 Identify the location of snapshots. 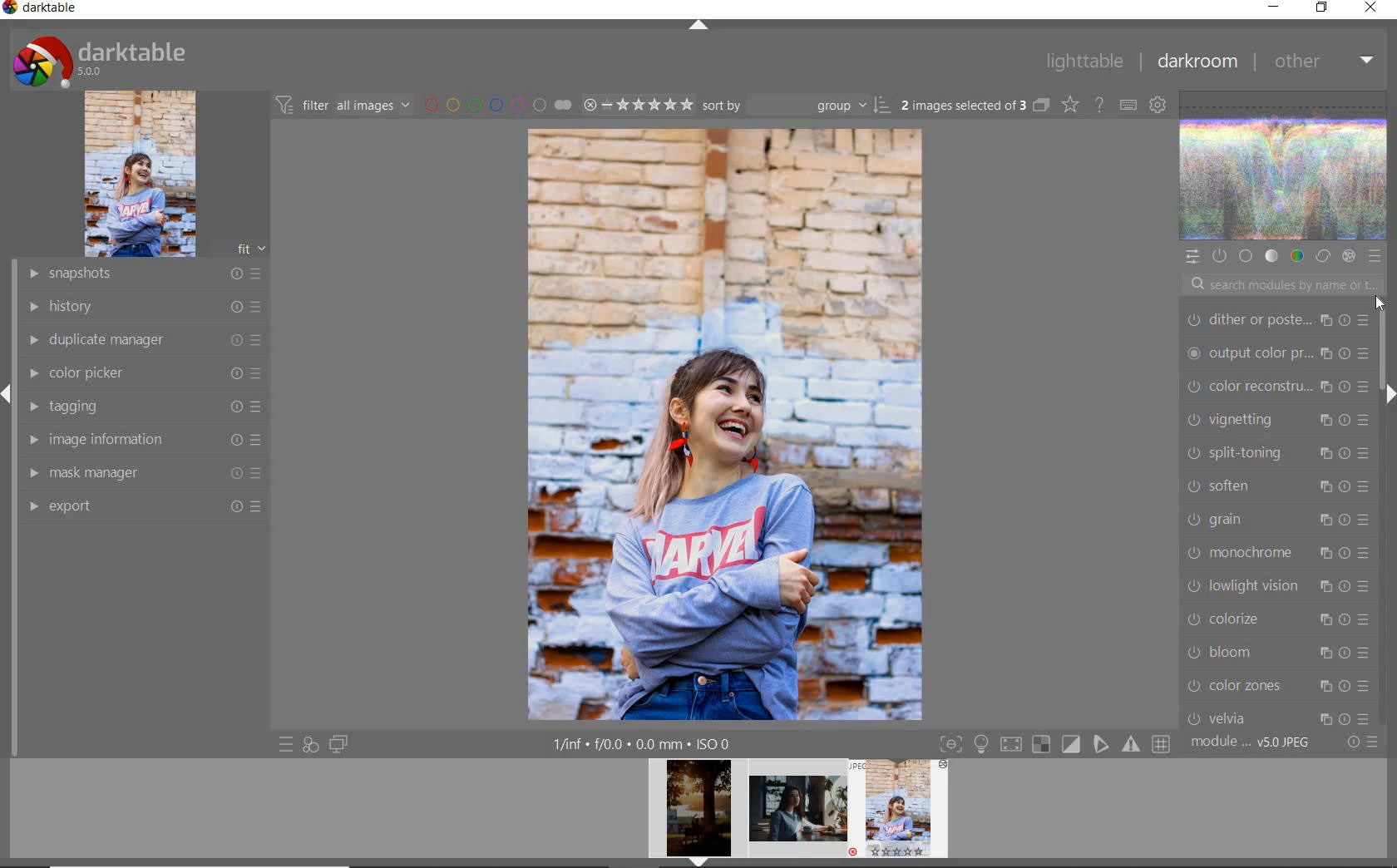
(143, 274).